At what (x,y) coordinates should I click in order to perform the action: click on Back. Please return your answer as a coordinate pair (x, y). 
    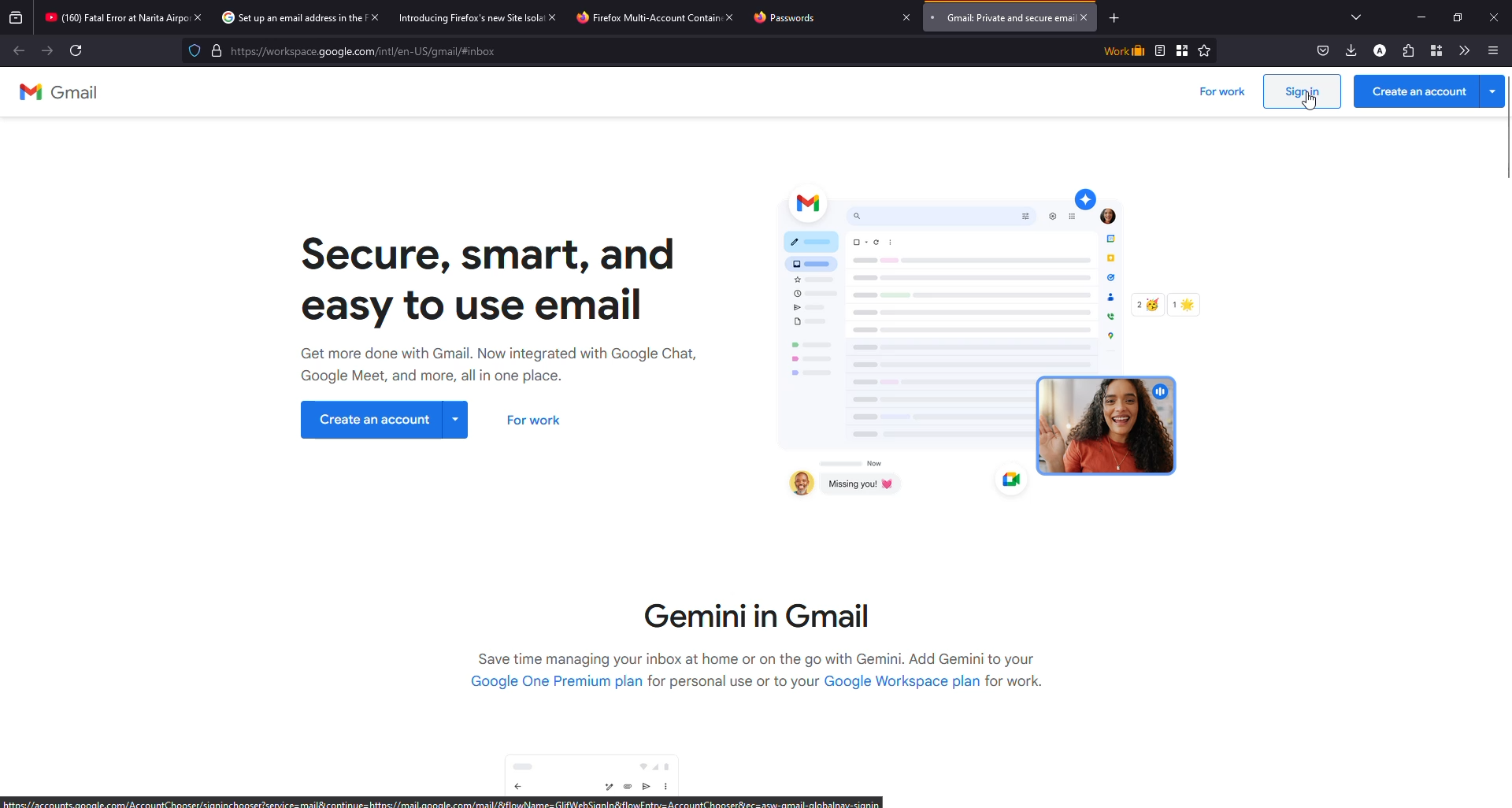
    Looking at the image, I should click on (520, 788).